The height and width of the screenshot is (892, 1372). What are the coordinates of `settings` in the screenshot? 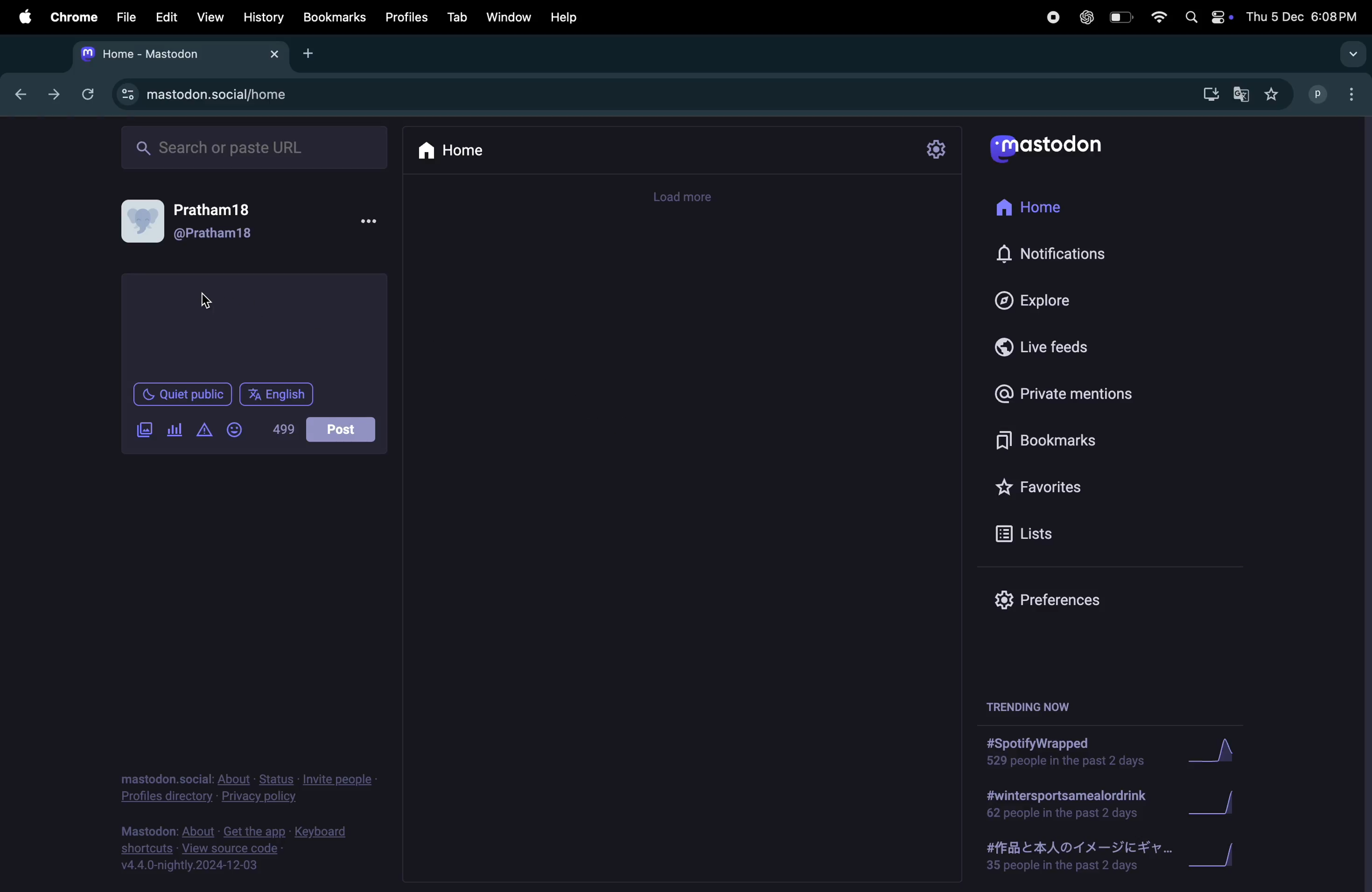 It's located at (935, 151).